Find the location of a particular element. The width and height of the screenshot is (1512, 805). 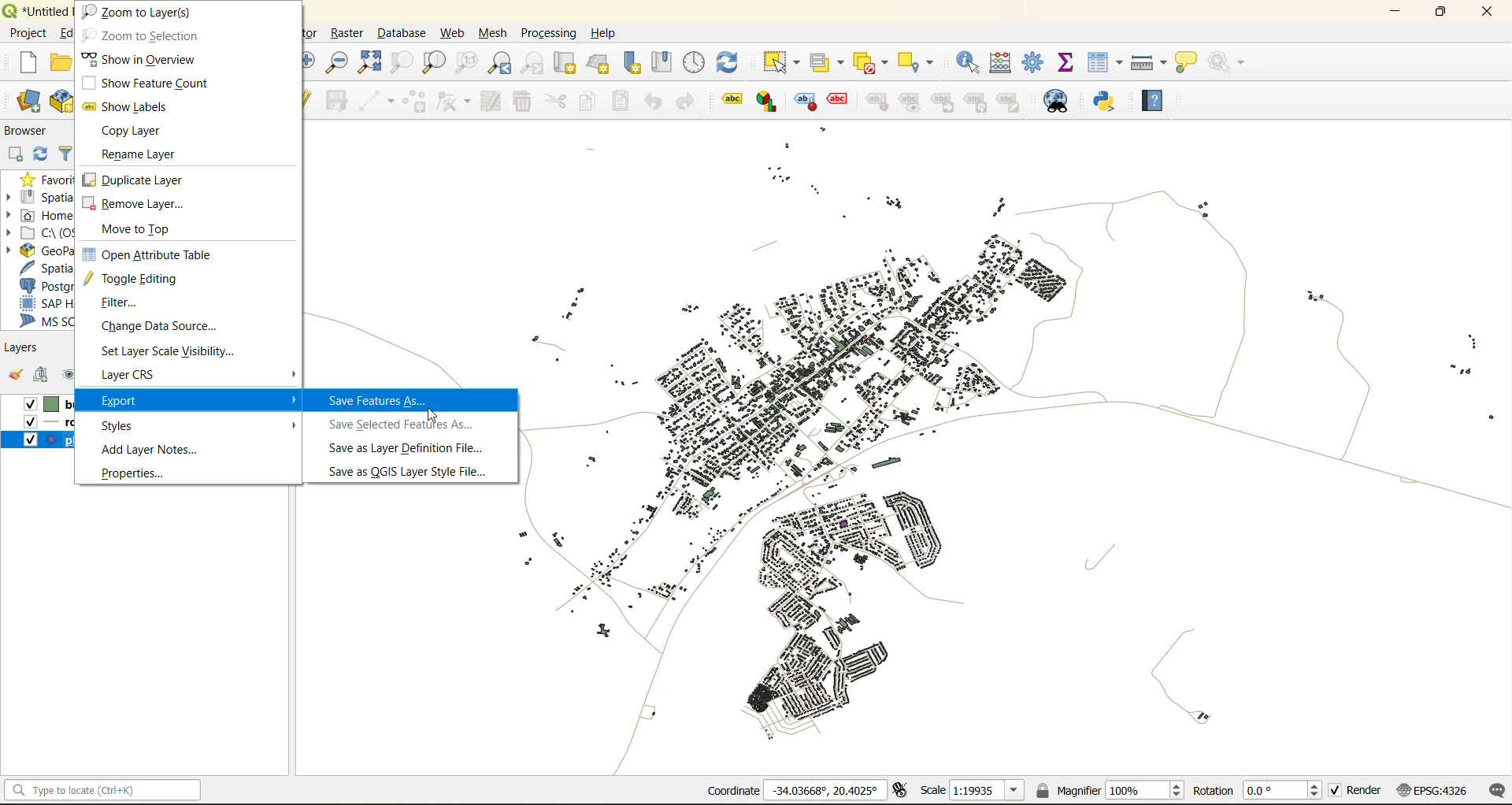

scale is located at coordinates (973, 792).